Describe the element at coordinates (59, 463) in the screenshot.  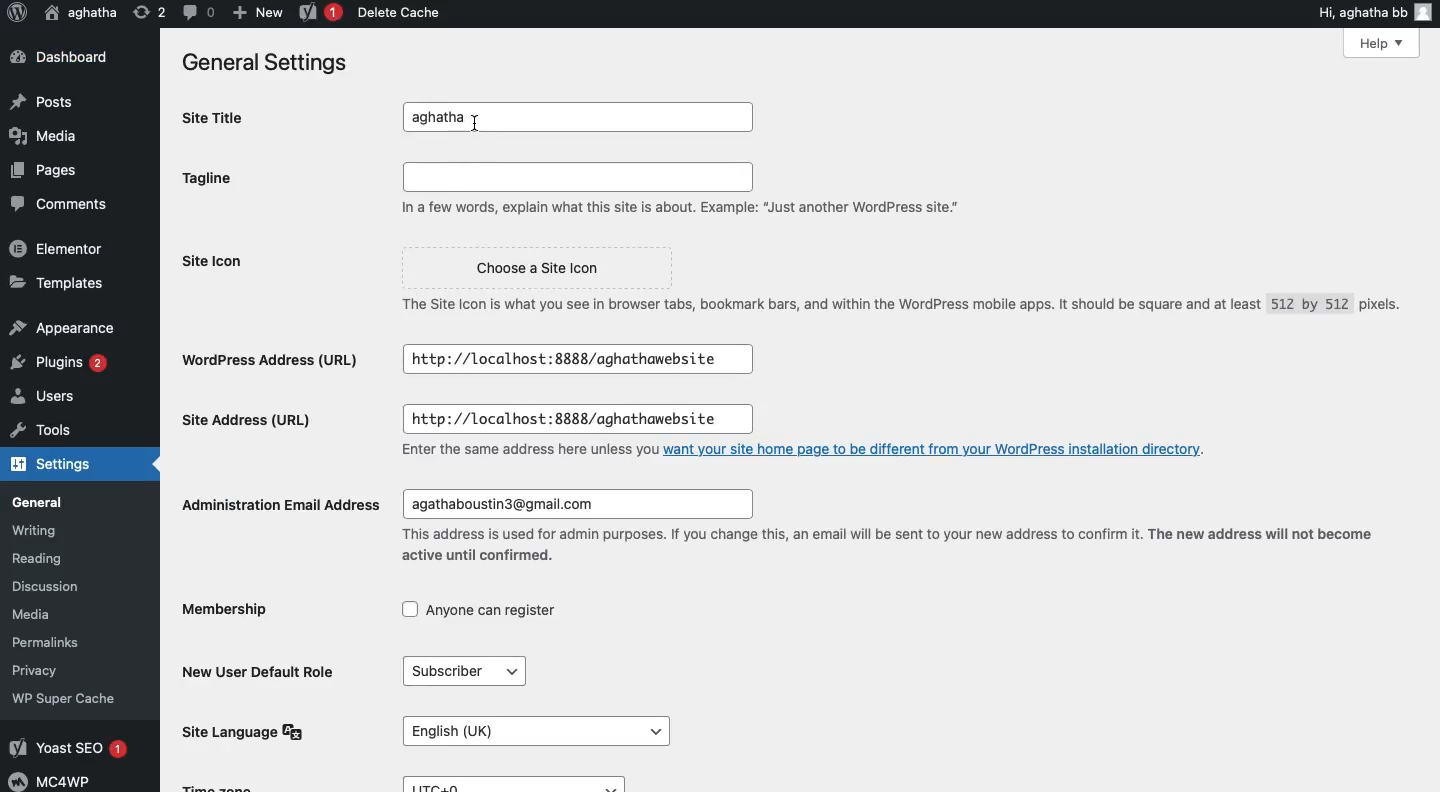
I see `Settings` at that location.